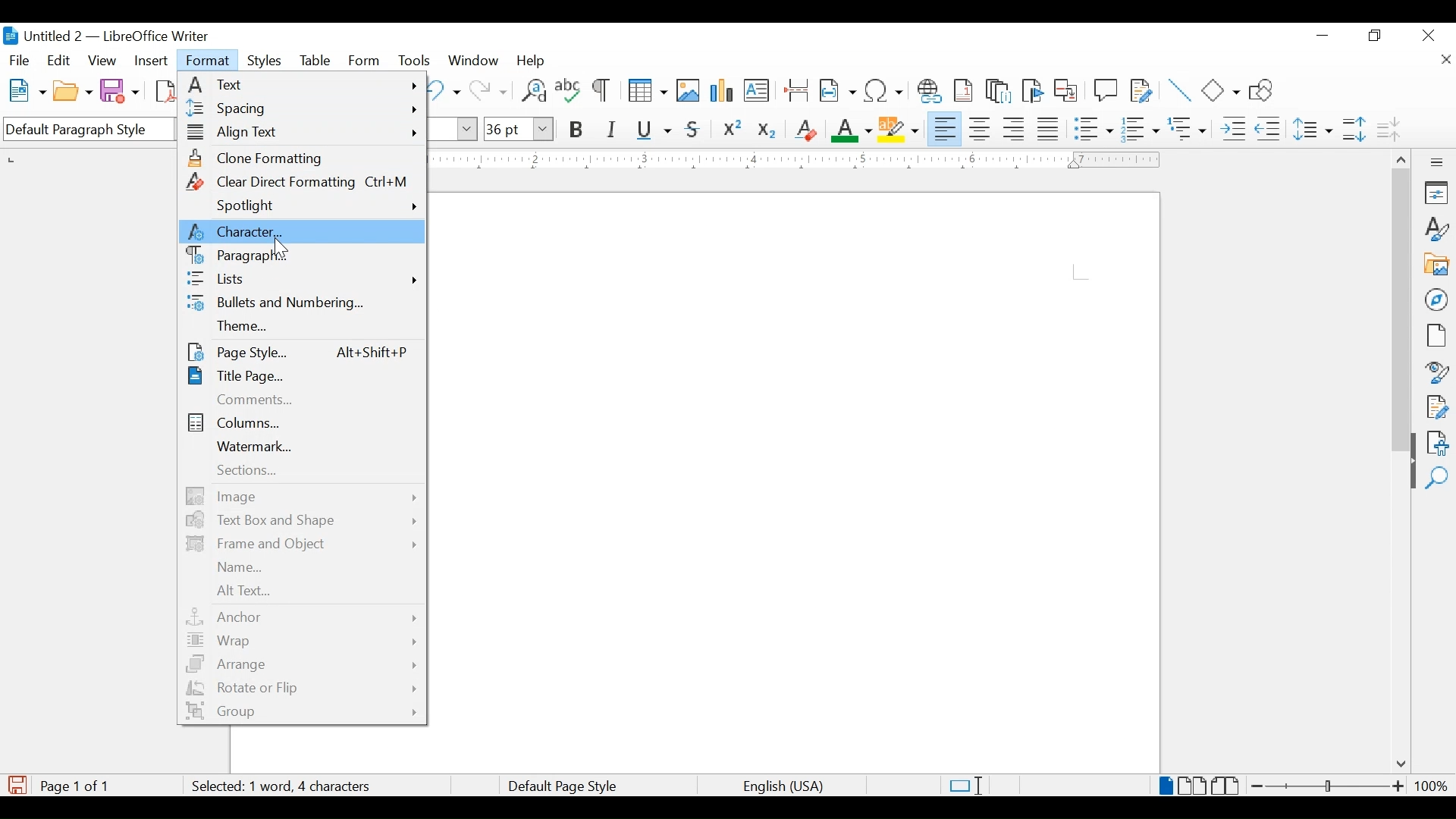 This screenshot has width=1456, height=819. What do you see at coordinates (302, 231) in the screenshot?
I see `character highlighted` at bounding box center [302, 231].